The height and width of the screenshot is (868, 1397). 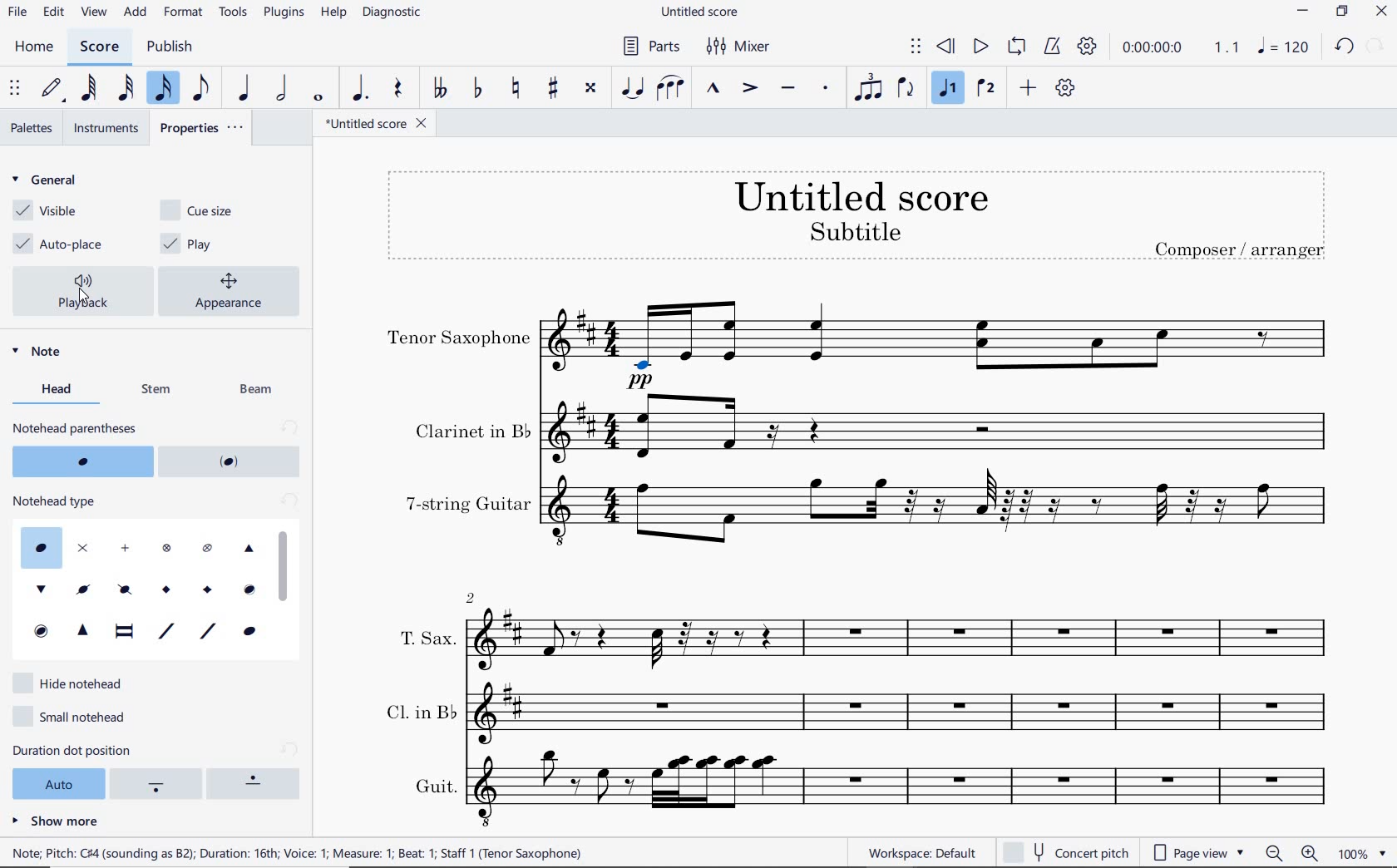 I want to click on Guit., so click(x=914, y=790).